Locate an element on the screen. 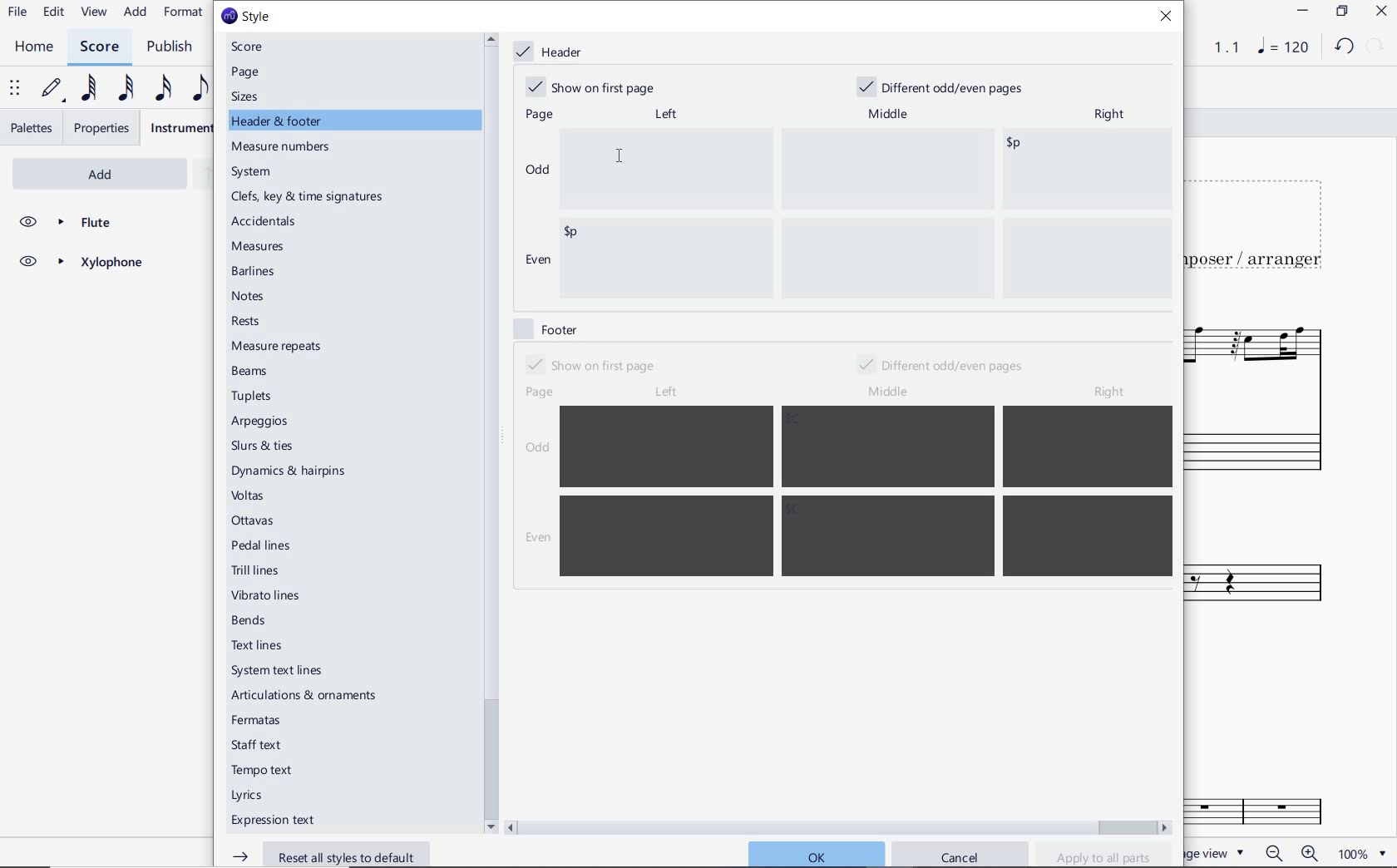  header marked is located at coordinates (552, 52).